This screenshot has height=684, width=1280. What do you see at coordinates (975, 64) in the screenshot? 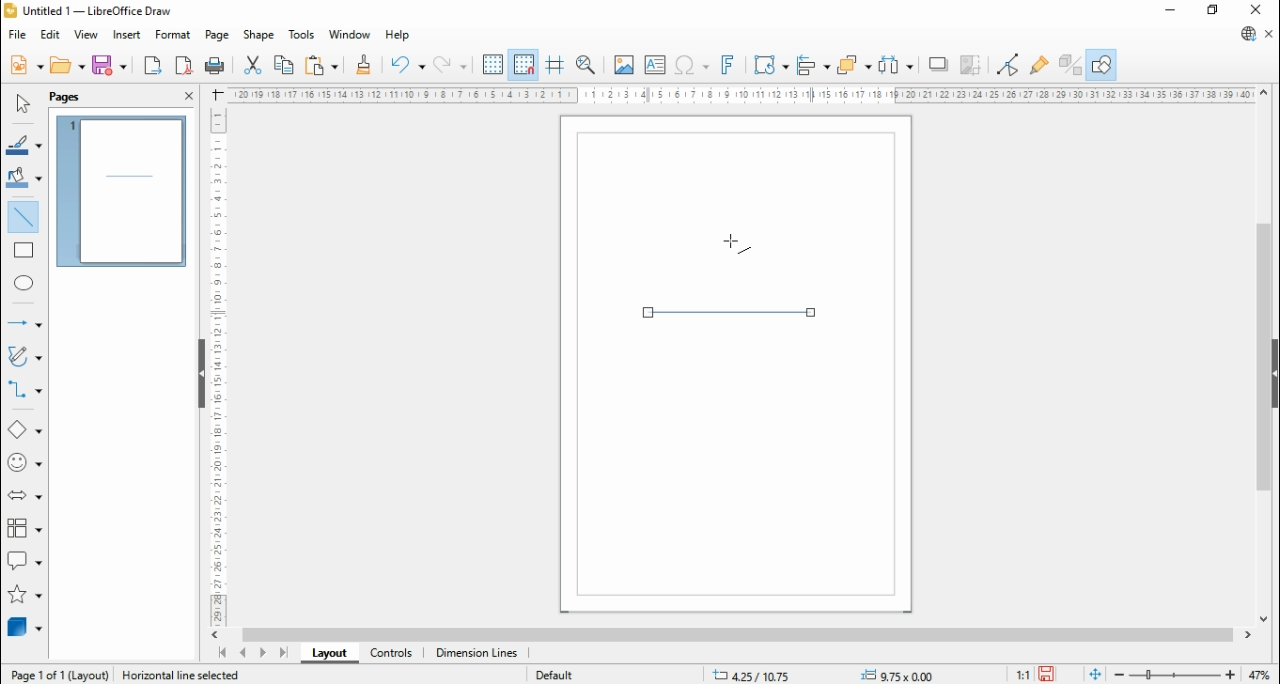
I see `crop` at bounding box center [975, 64].